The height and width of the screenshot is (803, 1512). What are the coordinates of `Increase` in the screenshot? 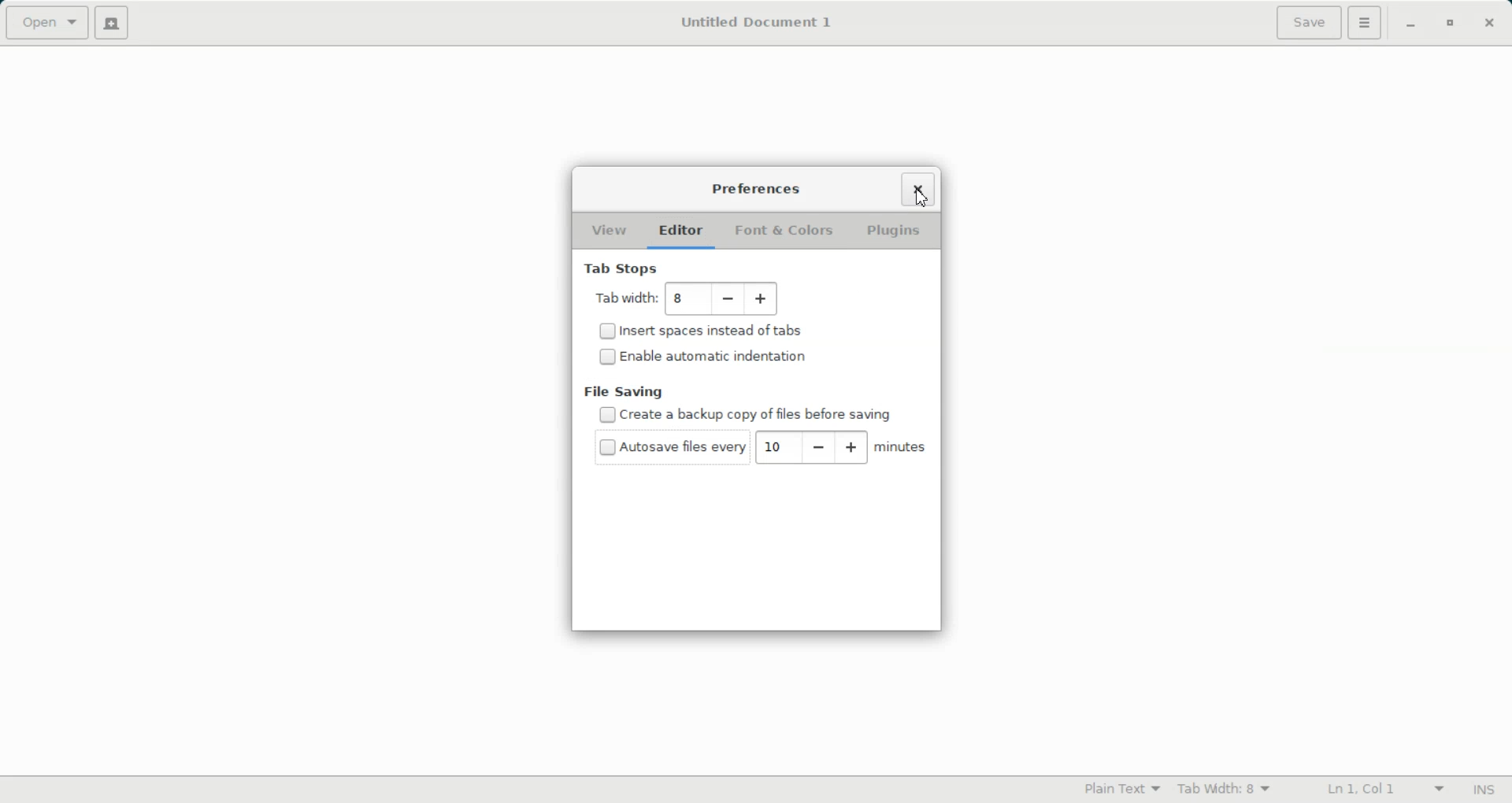 It's located at (761, 300).